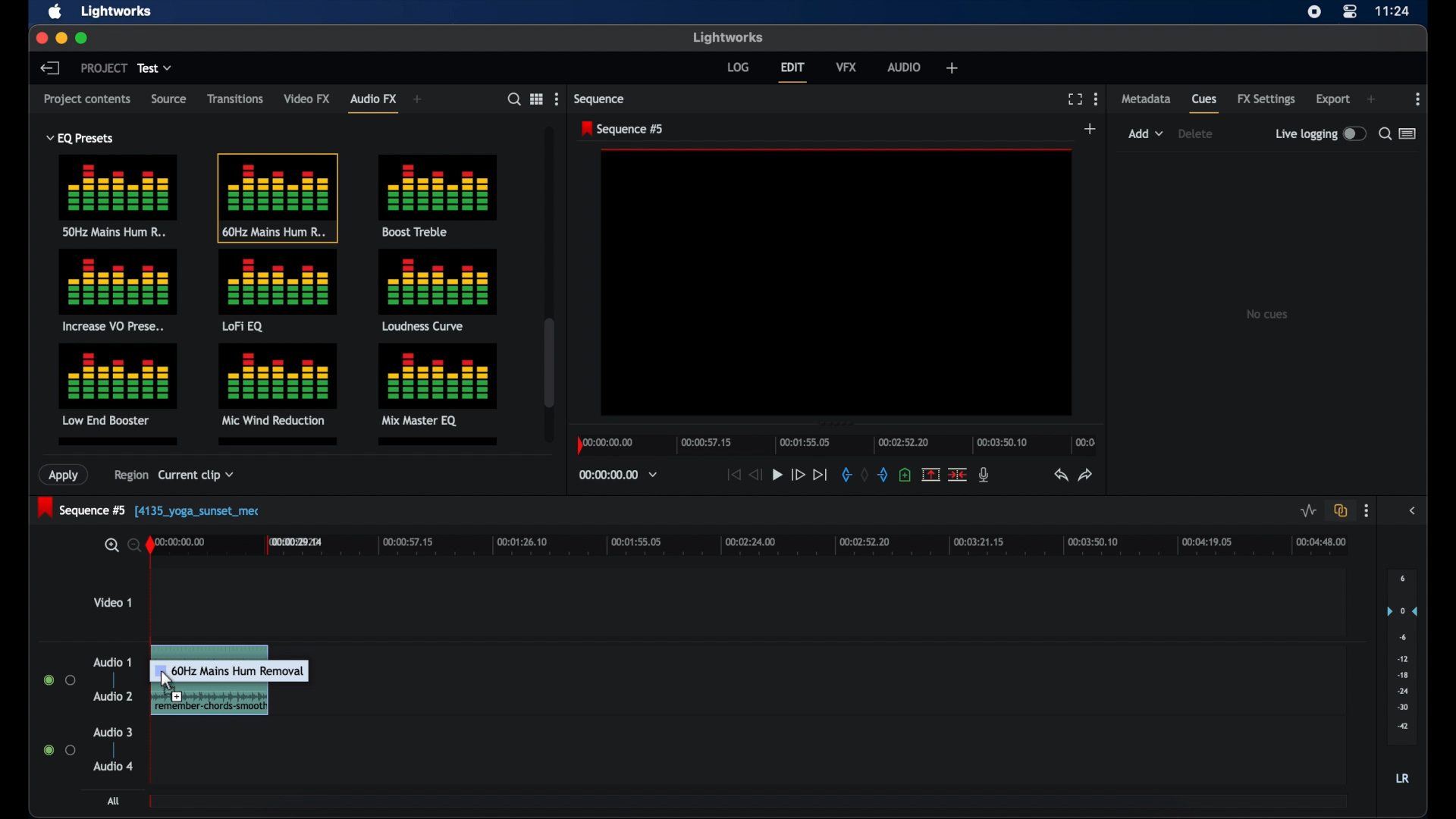 The height and width of the screenshot is (819, 1456). Describe the element at coordinates (536, 98) in the screenshot. I see `toggle list or tile view` at that location.